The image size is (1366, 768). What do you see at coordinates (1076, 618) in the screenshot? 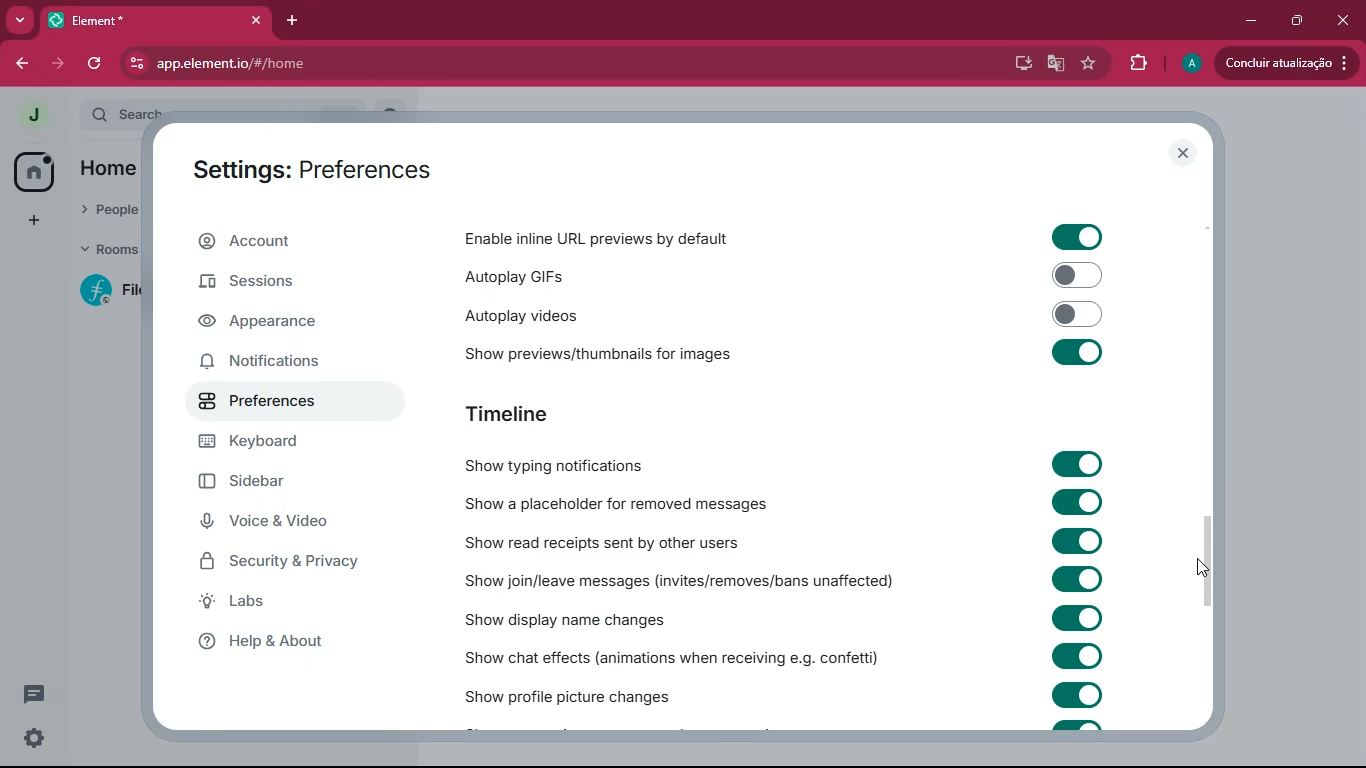
I see `toggle on/off` at bounding box center [1076, 618].